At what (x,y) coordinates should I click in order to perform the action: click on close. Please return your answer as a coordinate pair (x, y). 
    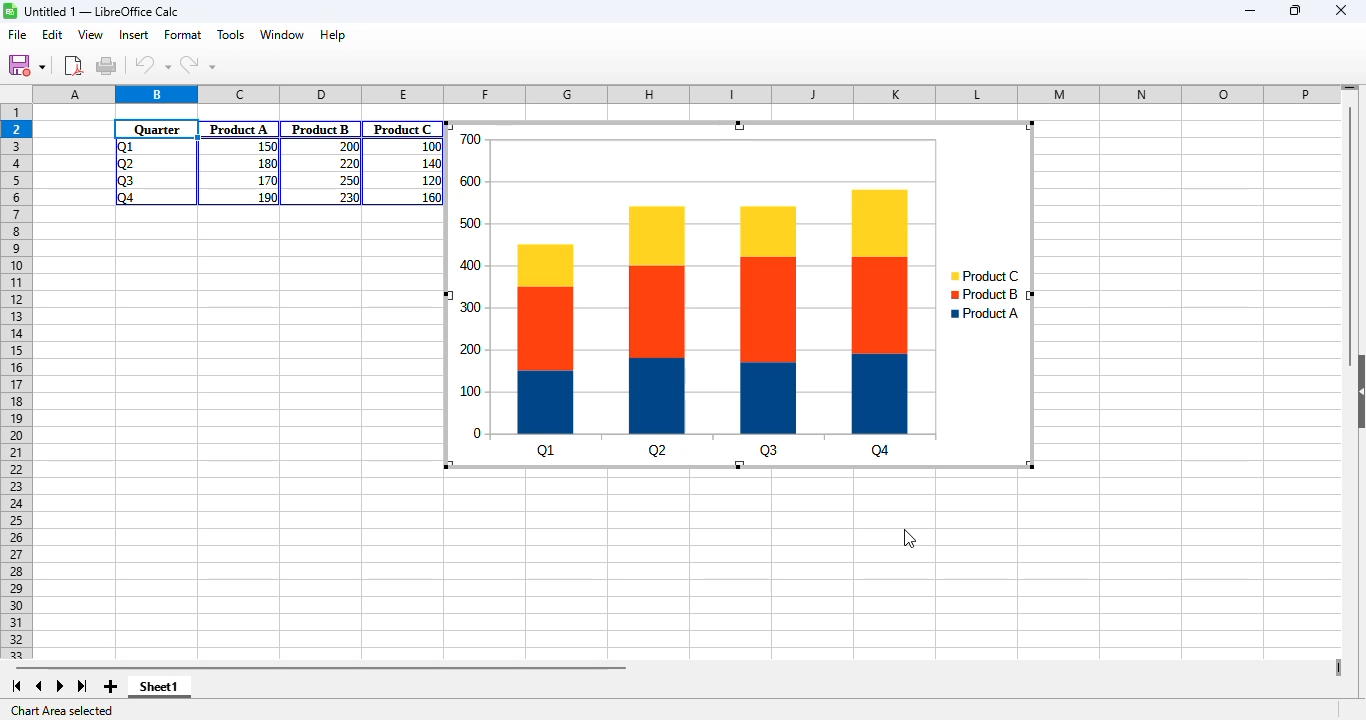
    Looking at the image, I should click on (1340, 10).